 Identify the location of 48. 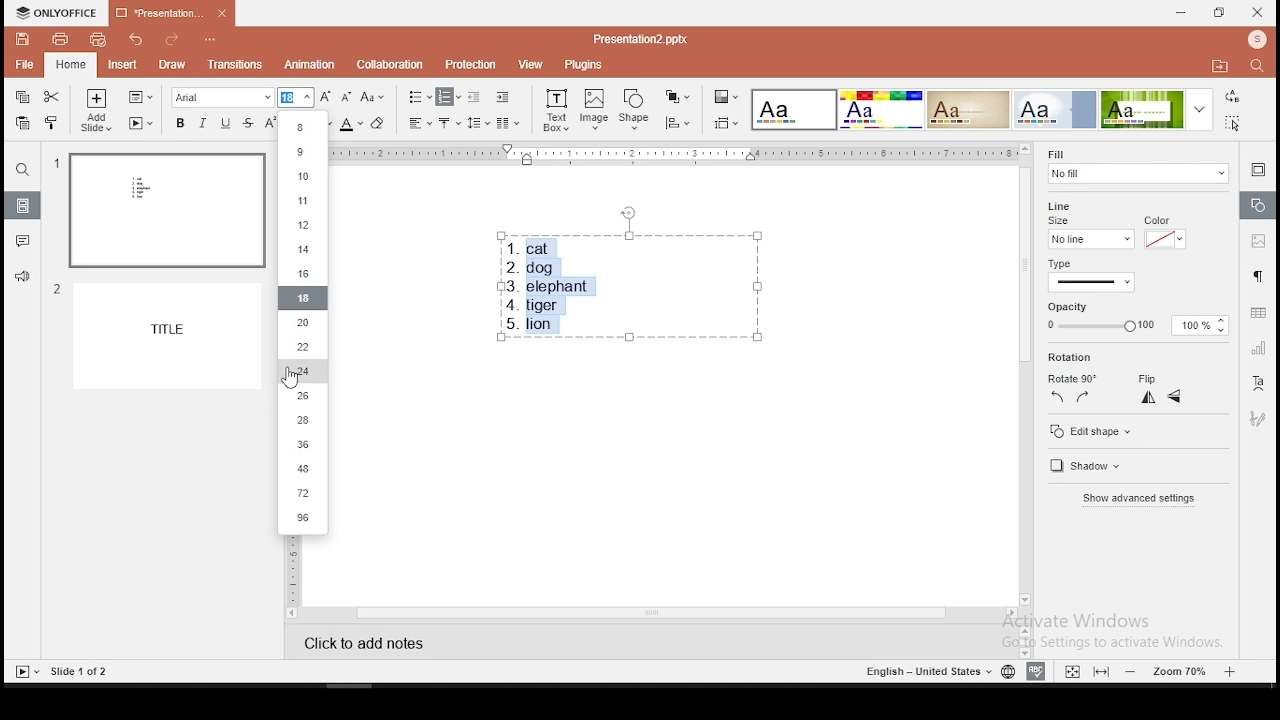
(302, 471).